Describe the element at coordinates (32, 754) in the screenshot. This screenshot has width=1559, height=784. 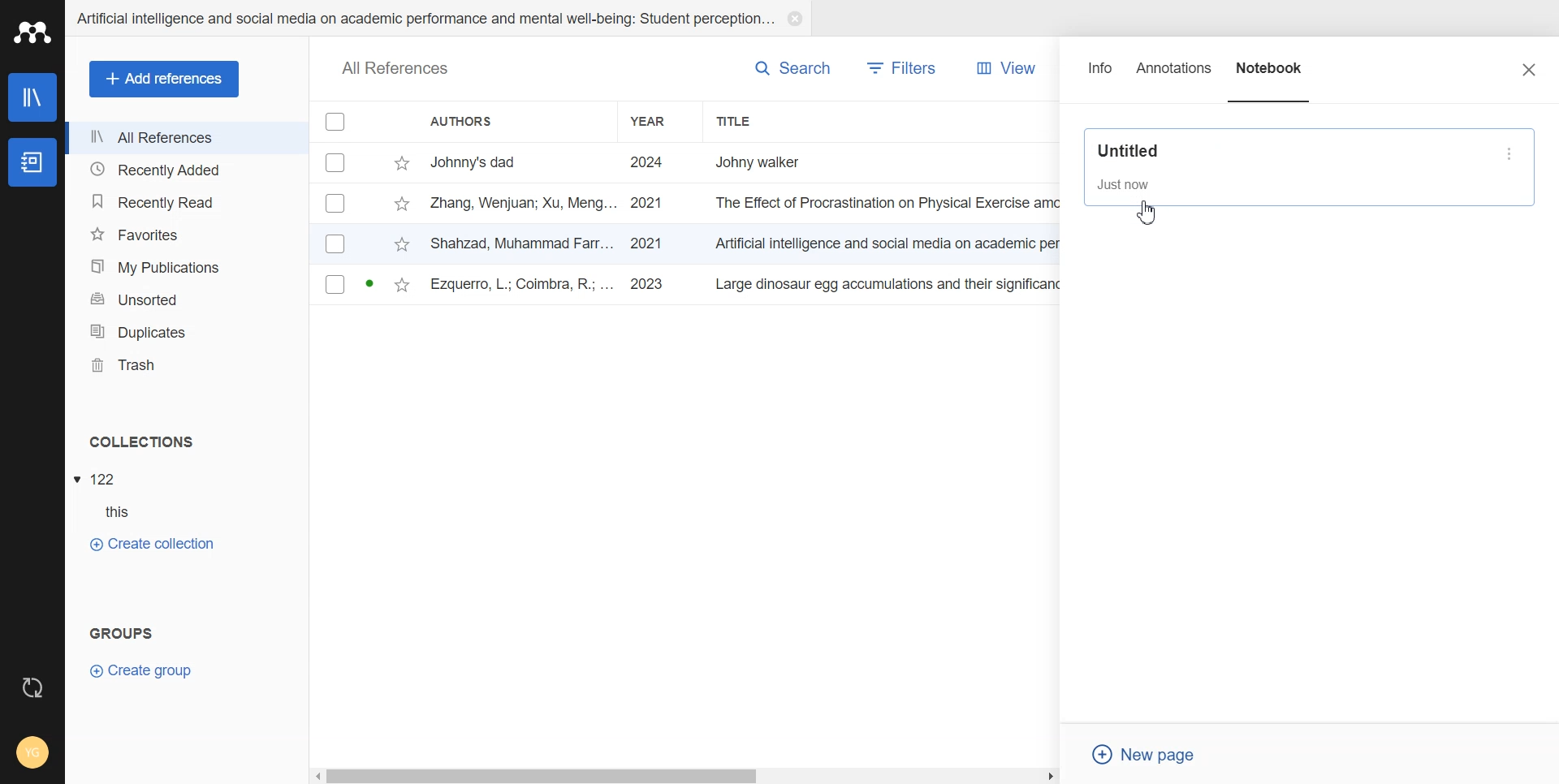
I see `Account` at that location.